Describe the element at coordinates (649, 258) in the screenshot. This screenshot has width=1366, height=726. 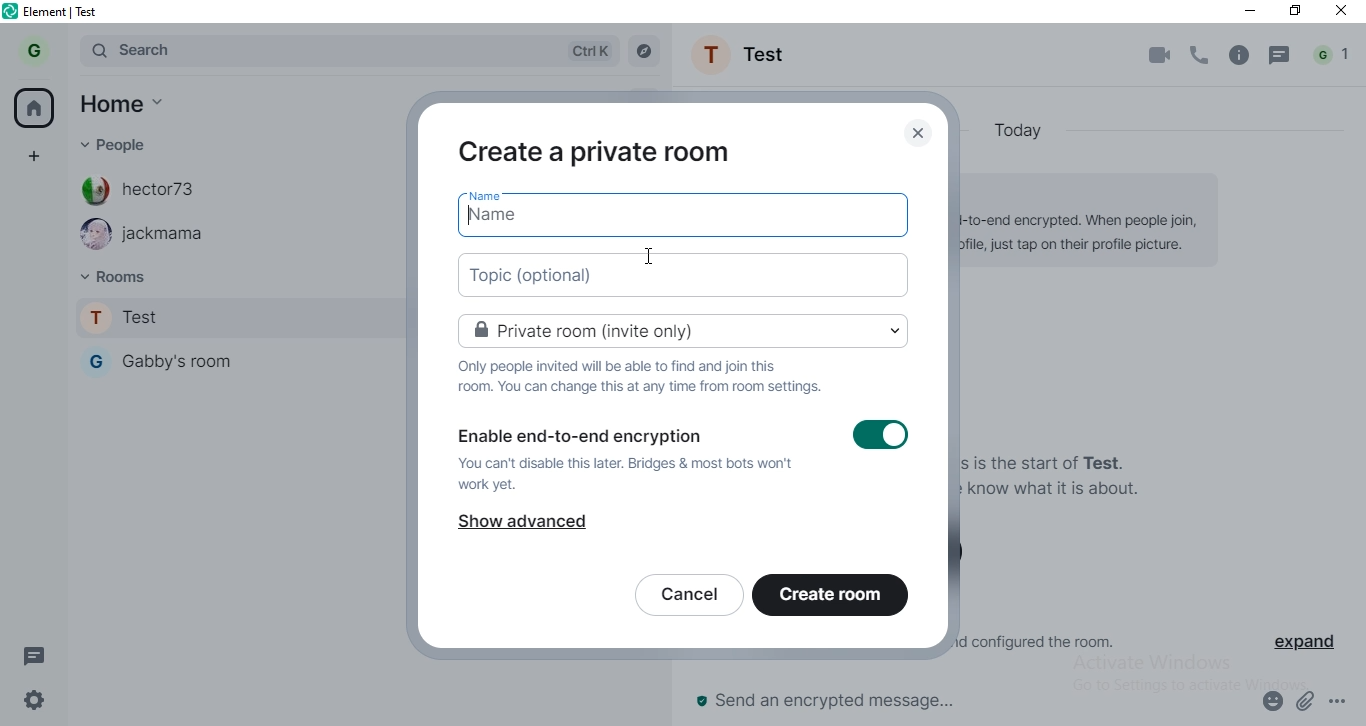
I see `cursor` at that location.